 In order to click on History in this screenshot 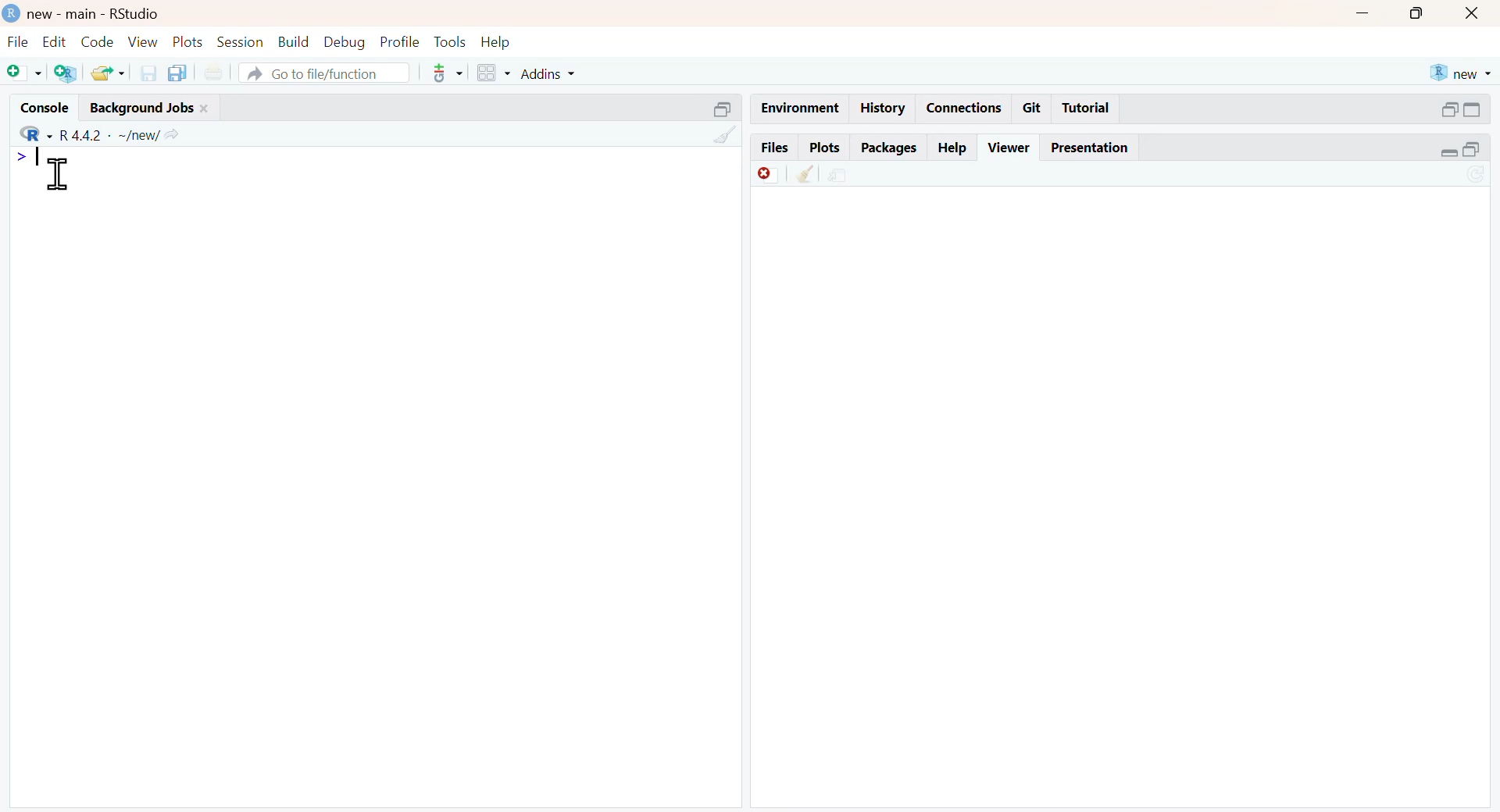, I will do `click(883, 108)`.